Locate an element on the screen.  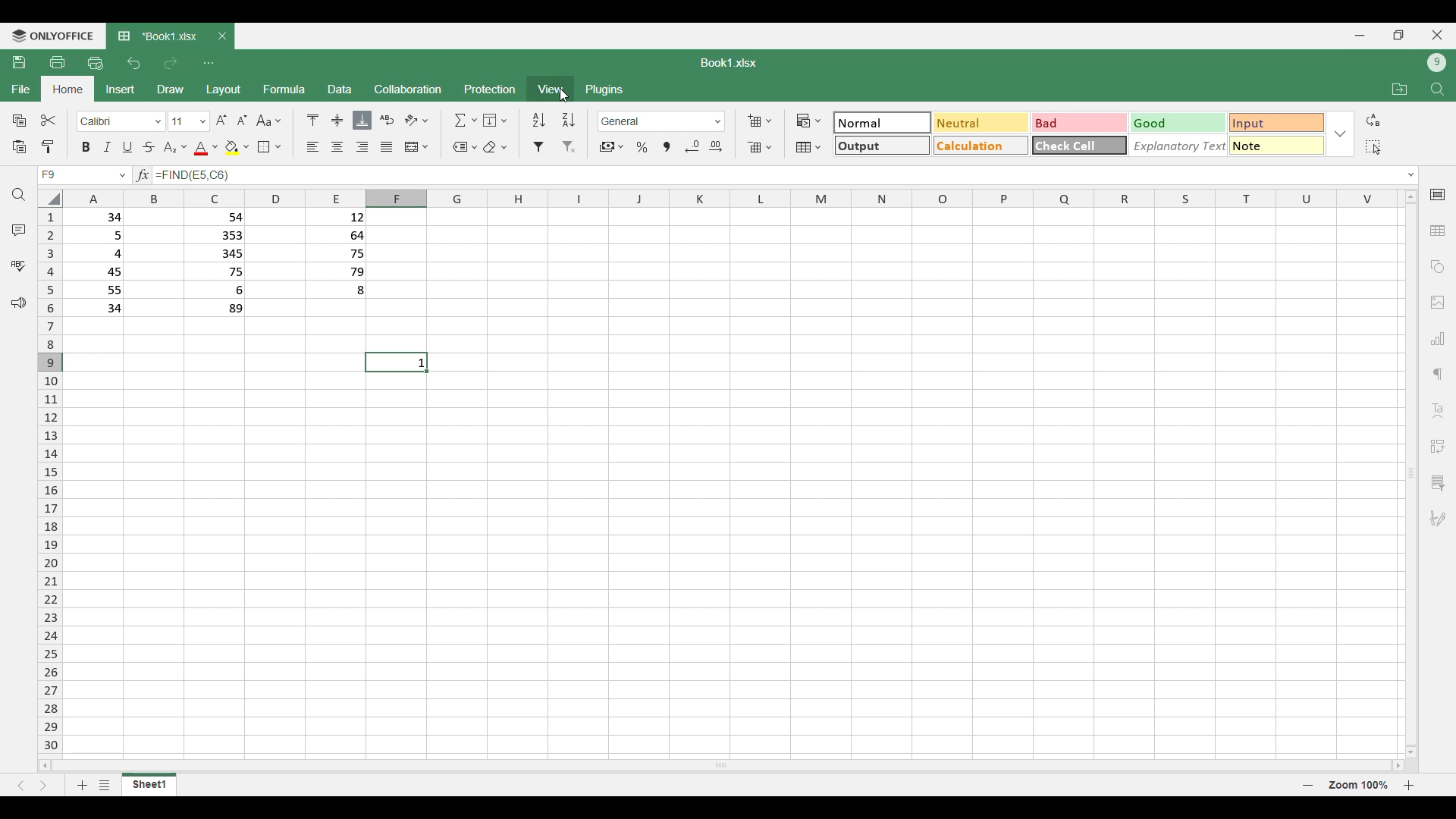
Spell check is located at coordinates (18, 266).